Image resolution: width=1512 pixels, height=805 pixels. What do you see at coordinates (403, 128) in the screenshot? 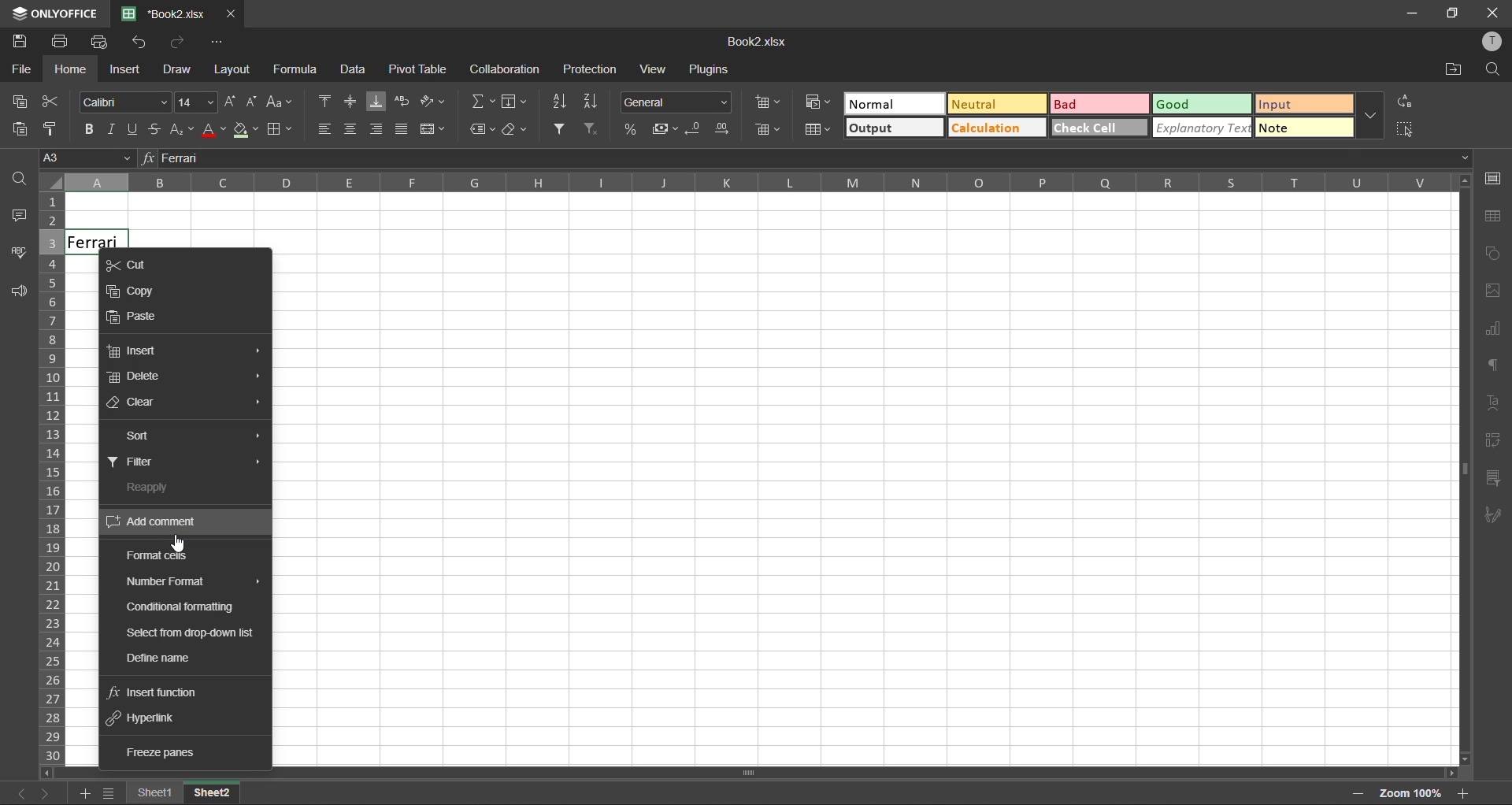
I see `justified` at bounding box center [403, 128].